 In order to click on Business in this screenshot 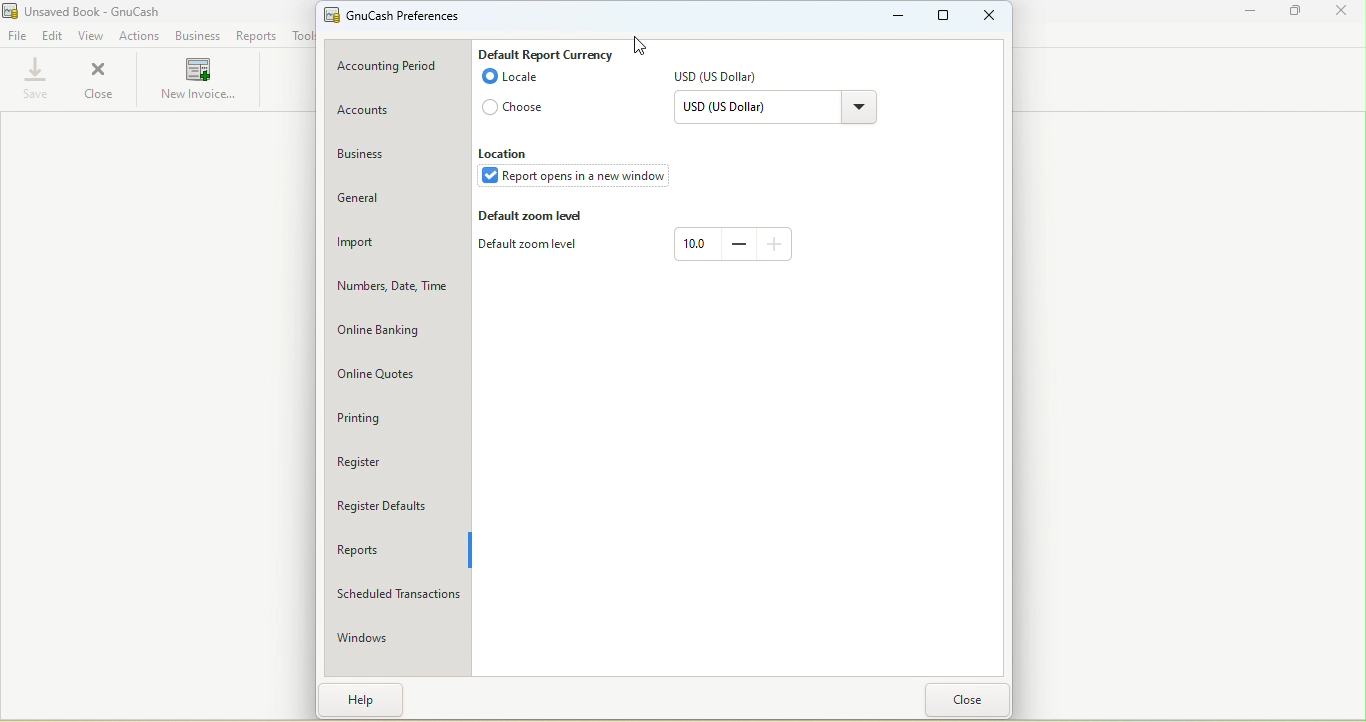, I will do `click(395, 156)`.